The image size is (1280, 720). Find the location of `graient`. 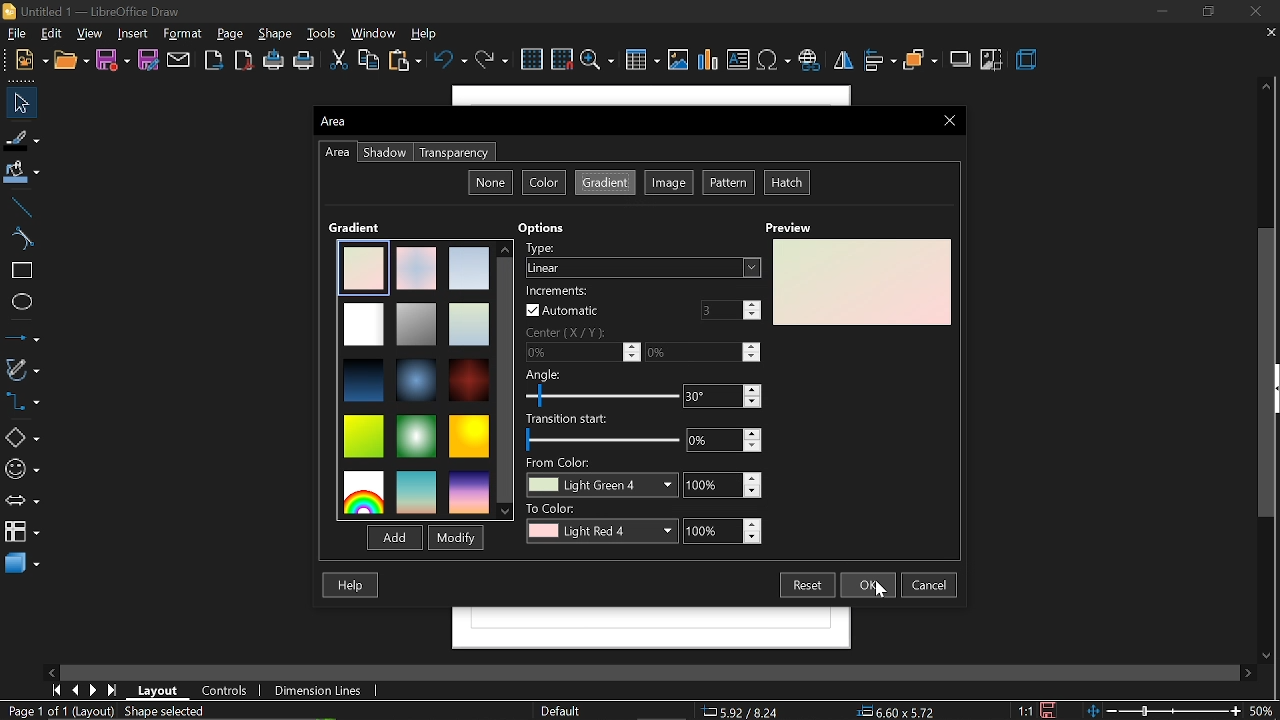

graient is located at coordinates (606, 183).